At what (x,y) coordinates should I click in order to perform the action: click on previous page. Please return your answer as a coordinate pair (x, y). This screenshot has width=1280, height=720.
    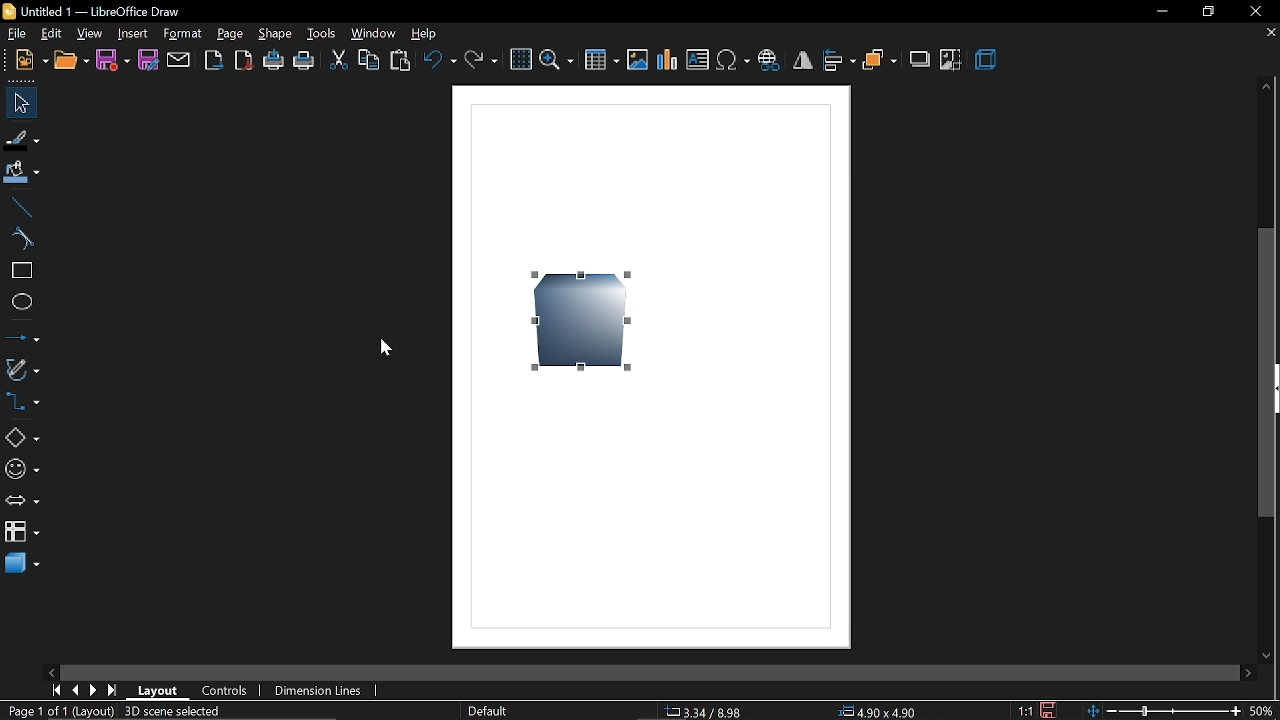
    Looking at the image, I should click on (72, 691).